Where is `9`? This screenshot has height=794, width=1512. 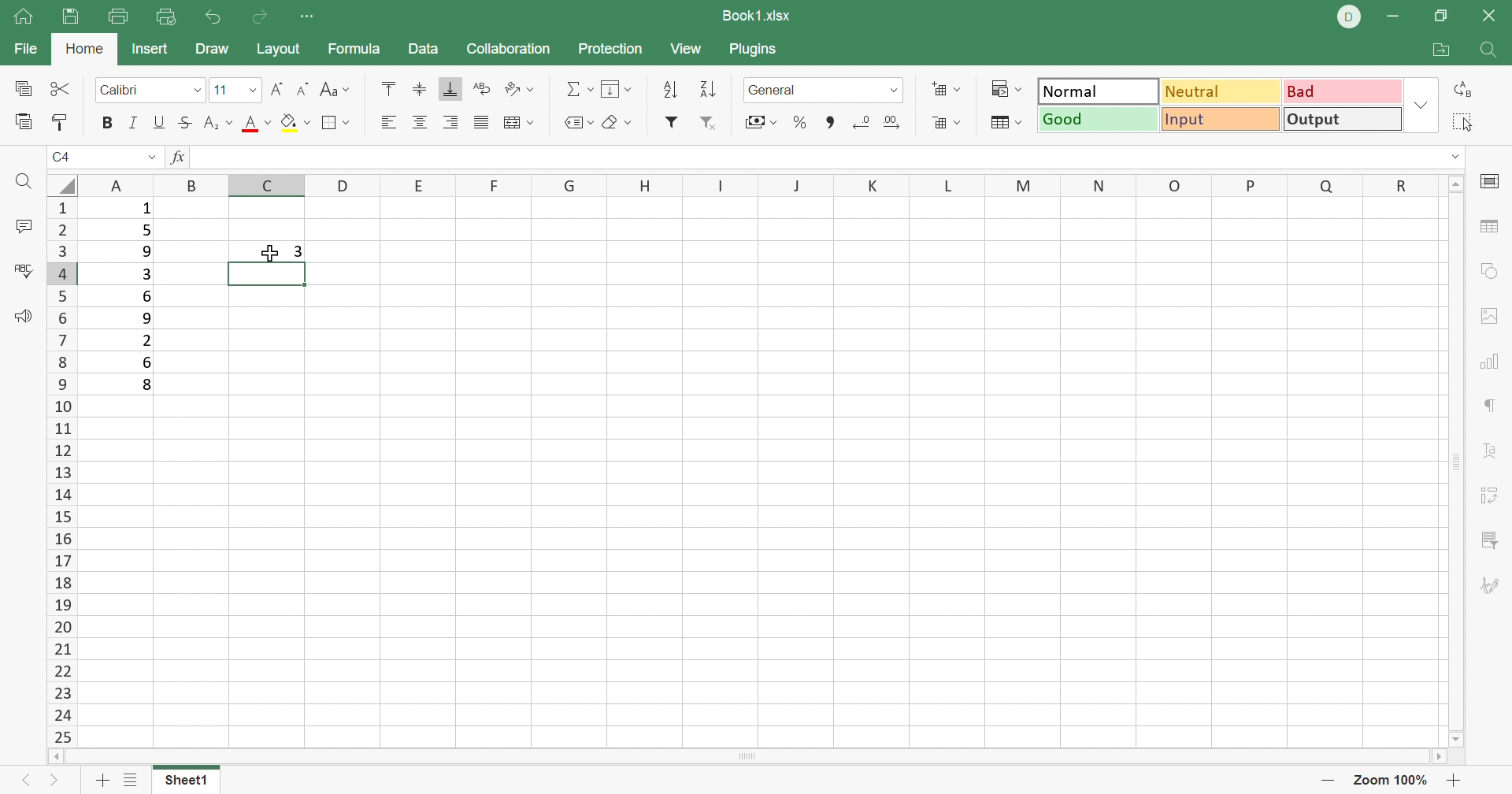
9 is located at coordinates (145, 318).